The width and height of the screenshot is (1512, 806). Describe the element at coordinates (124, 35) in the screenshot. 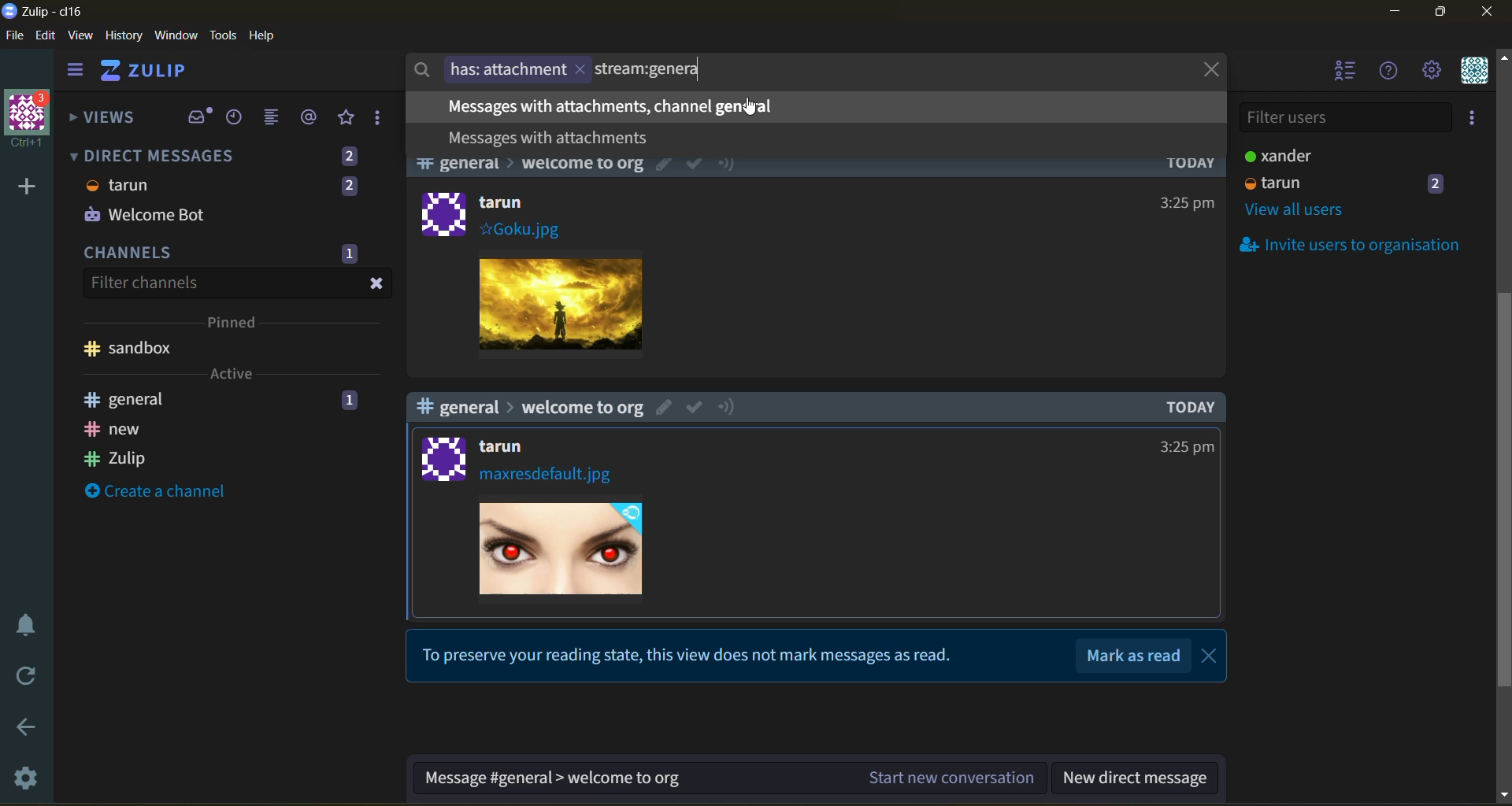

I see `history` at that location.